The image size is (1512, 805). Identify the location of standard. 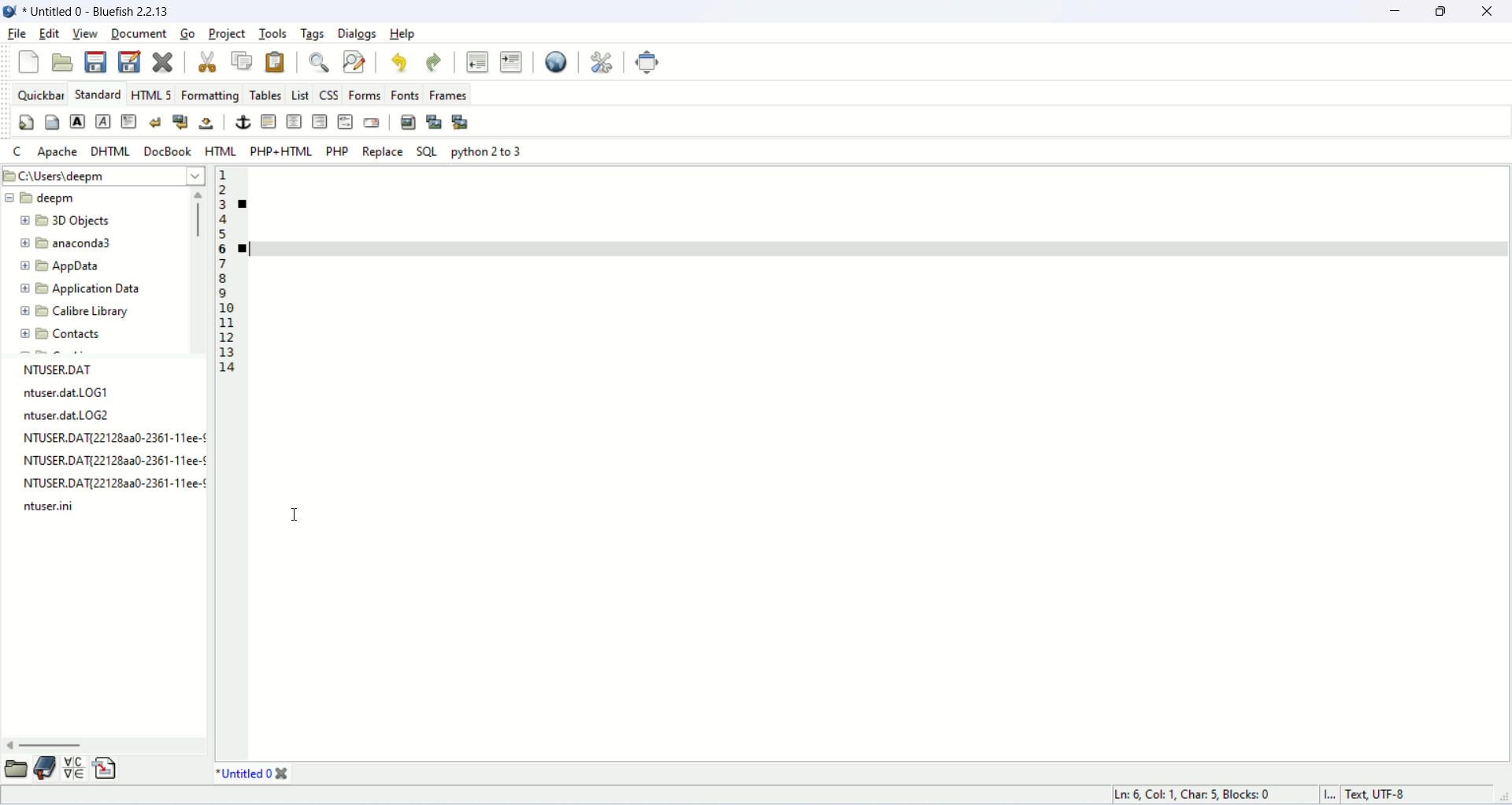
(97, 94).